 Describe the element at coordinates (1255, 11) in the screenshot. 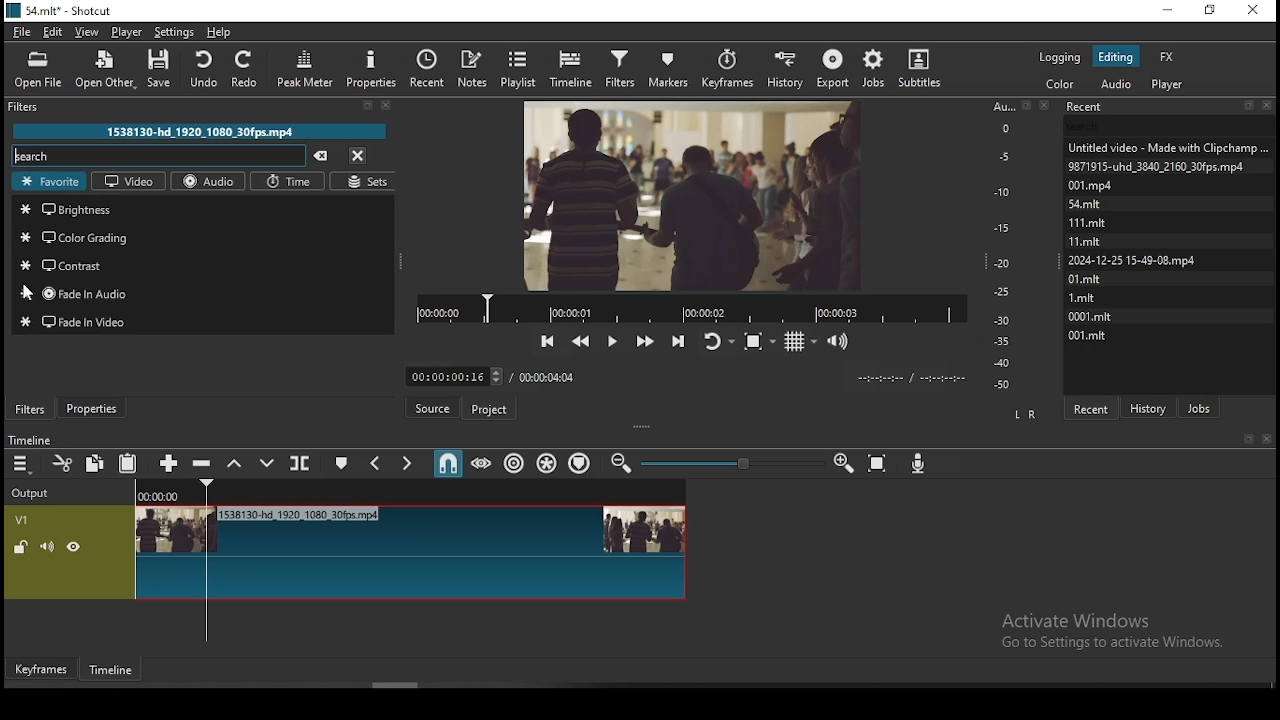

I see `close window` at that location.